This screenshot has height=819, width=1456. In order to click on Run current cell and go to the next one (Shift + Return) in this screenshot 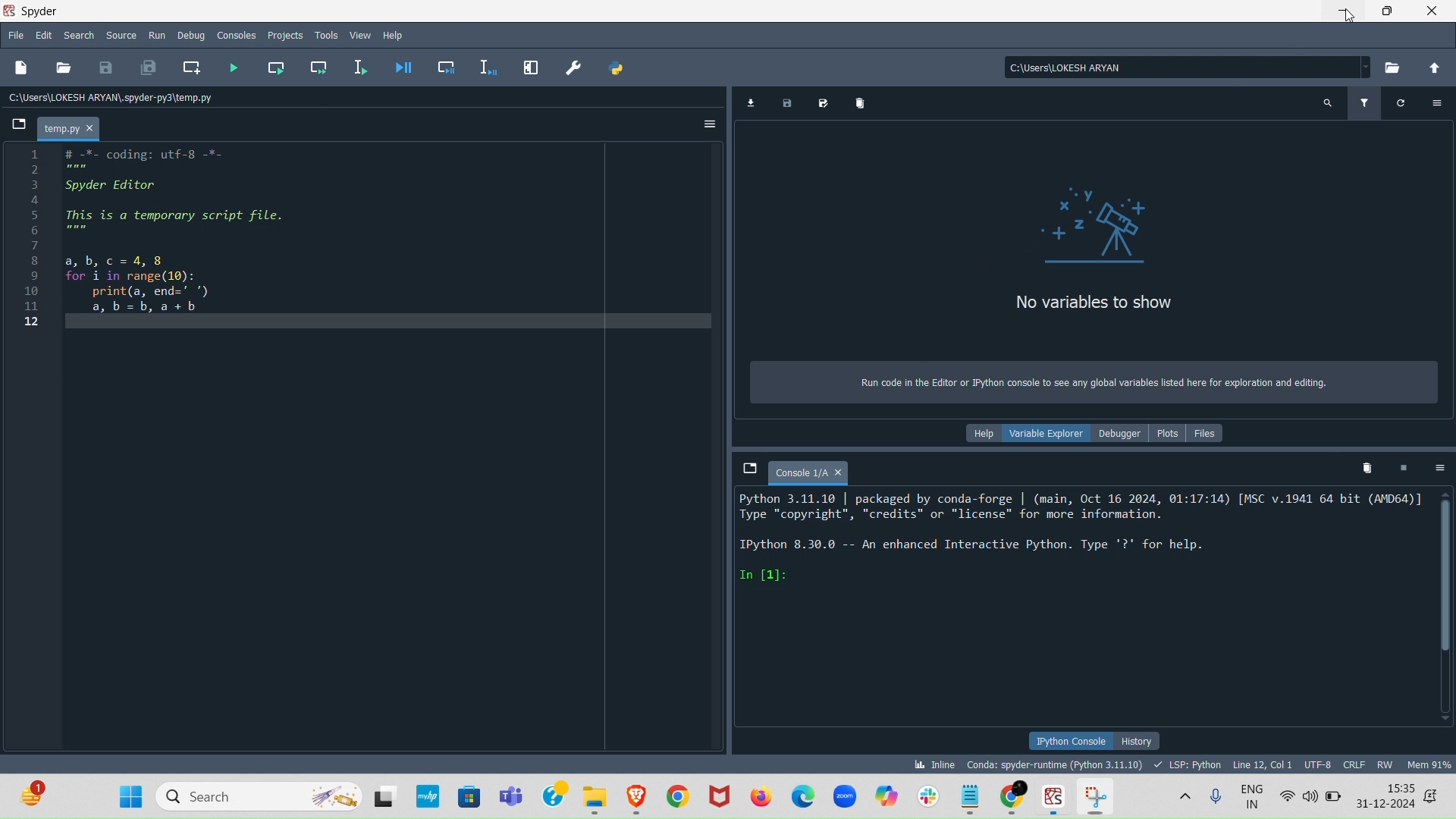, I will do `click(322, 66)`.